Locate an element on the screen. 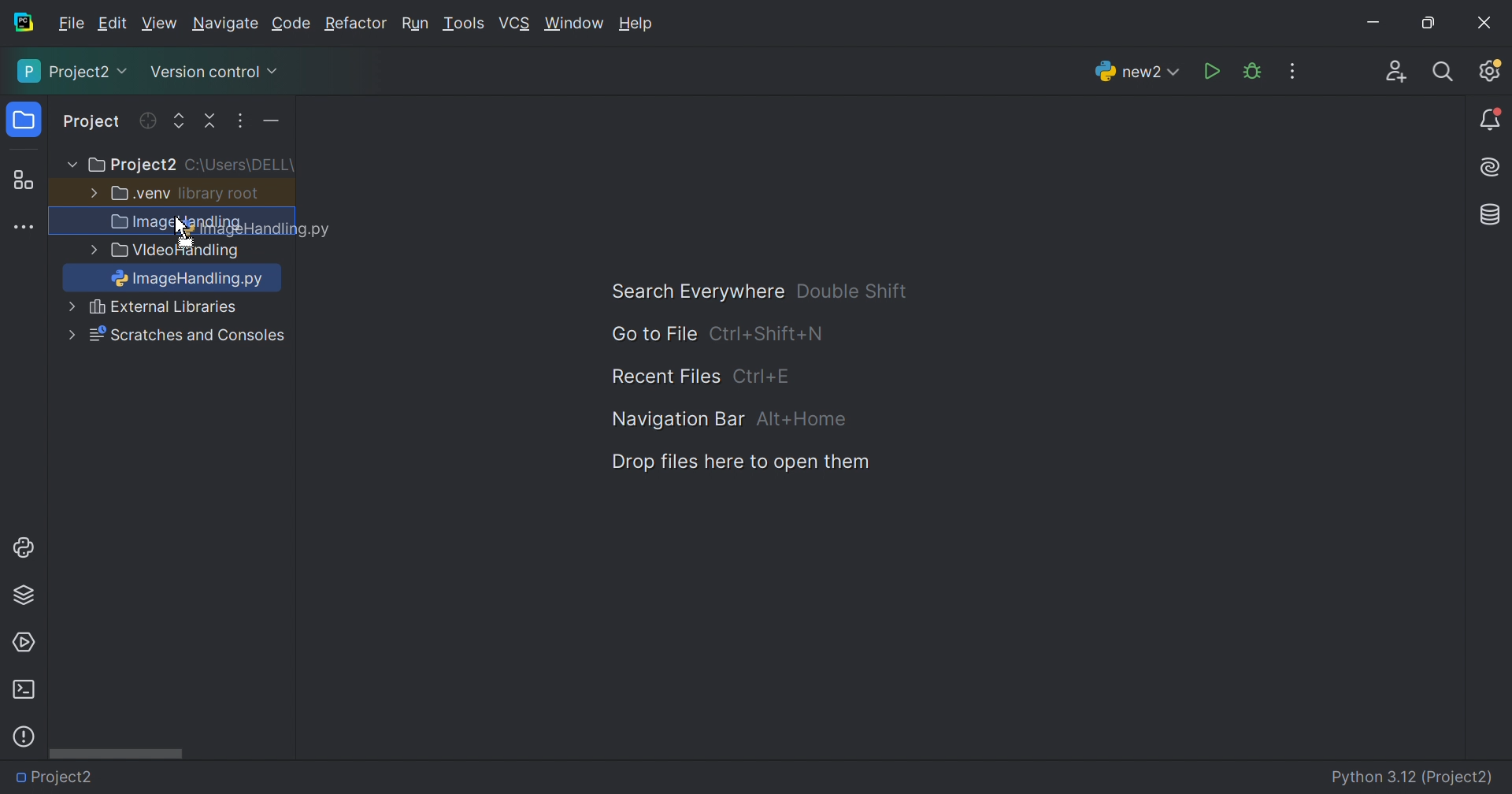  .venv is located at coordinates (141, 194).